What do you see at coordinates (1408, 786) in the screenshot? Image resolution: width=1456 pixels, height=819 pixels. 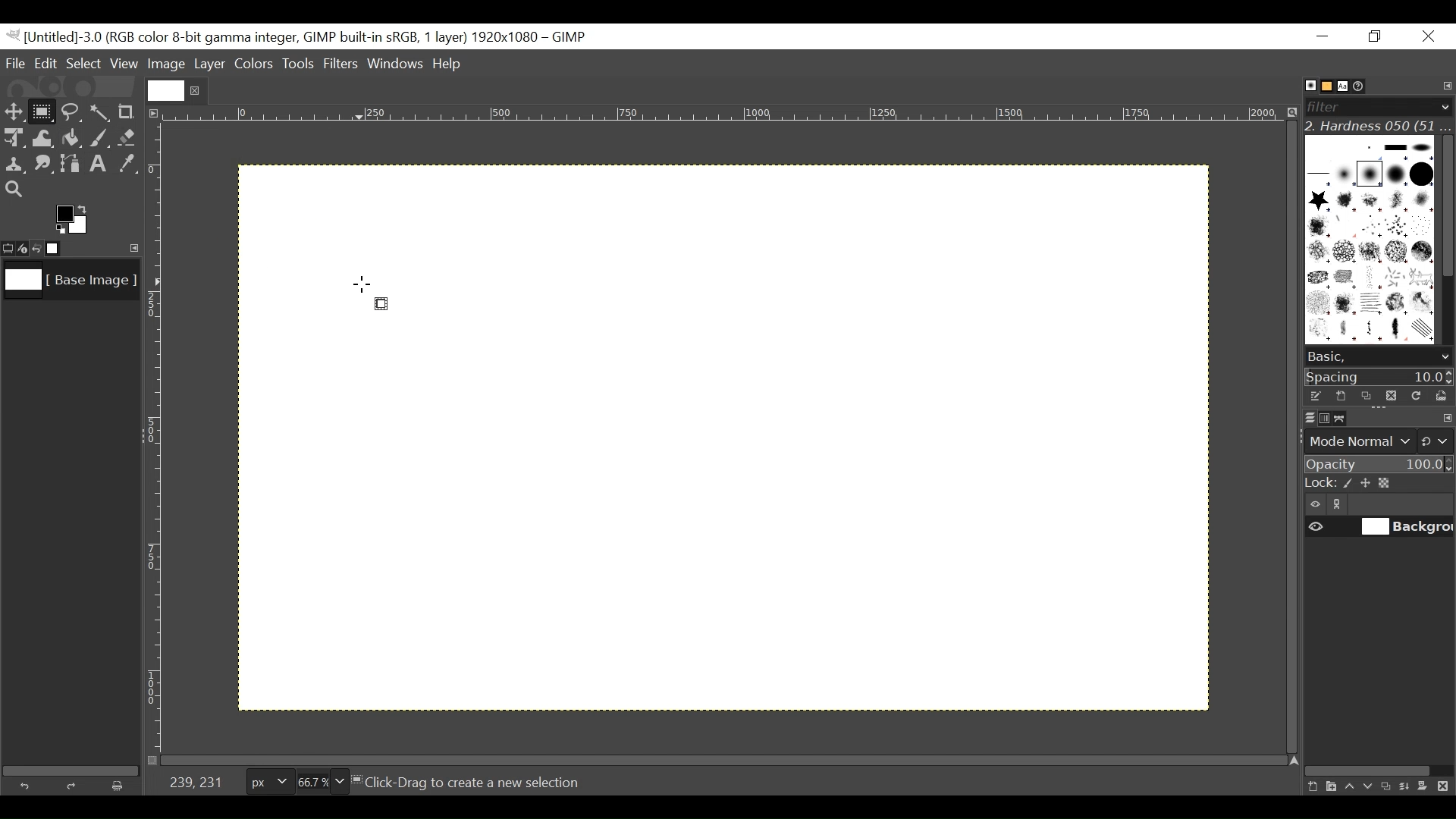 I see `merge the layer` at bounding box center [1408, 786].